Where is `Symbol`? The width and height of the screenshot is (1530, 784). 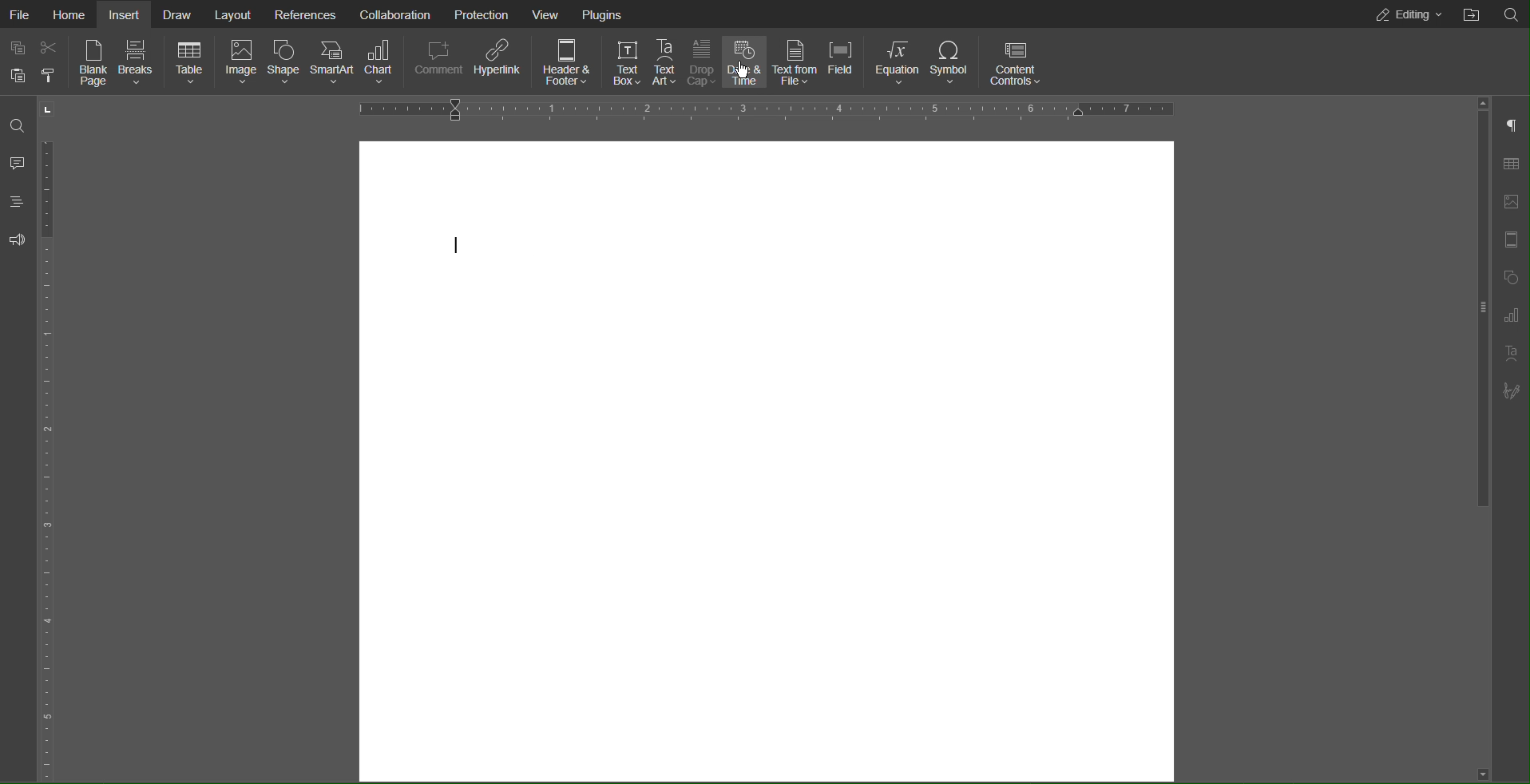 Symbol is located at coordinates (951, 62).